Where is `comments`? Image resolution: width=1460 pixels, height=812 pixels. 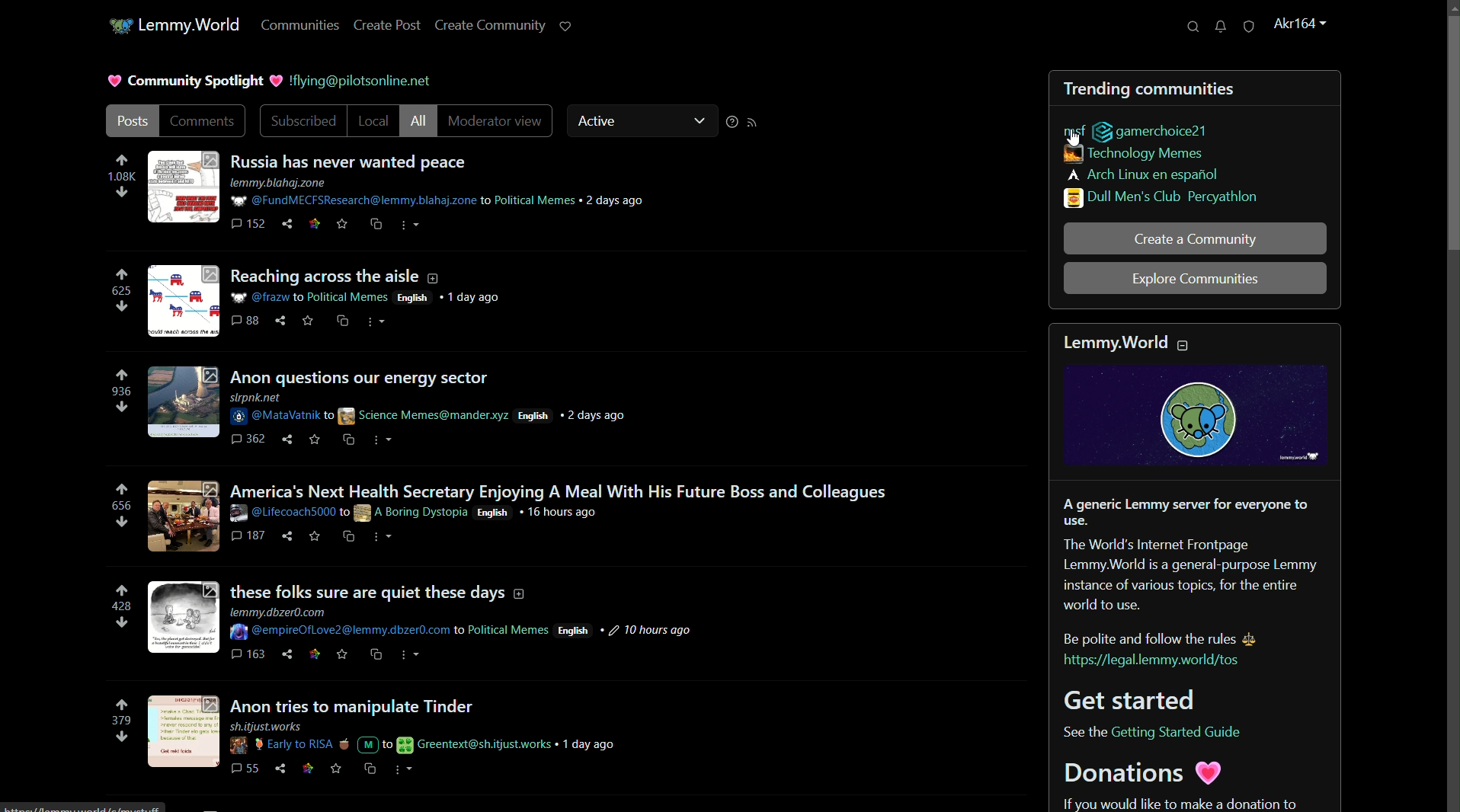
comments is located at coordinates (244, 765).